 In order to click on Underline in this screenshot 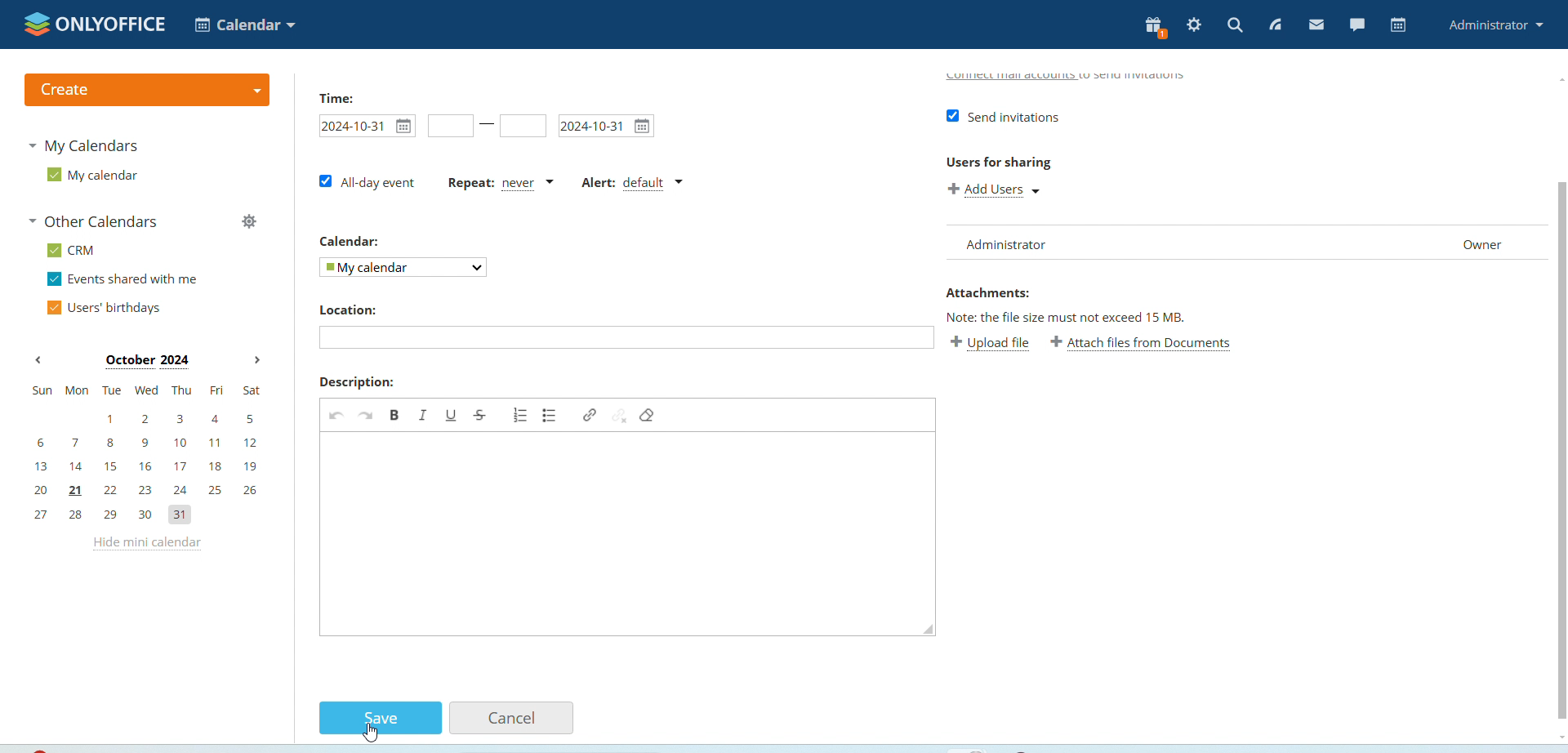, I will do `click(451, 413)`.